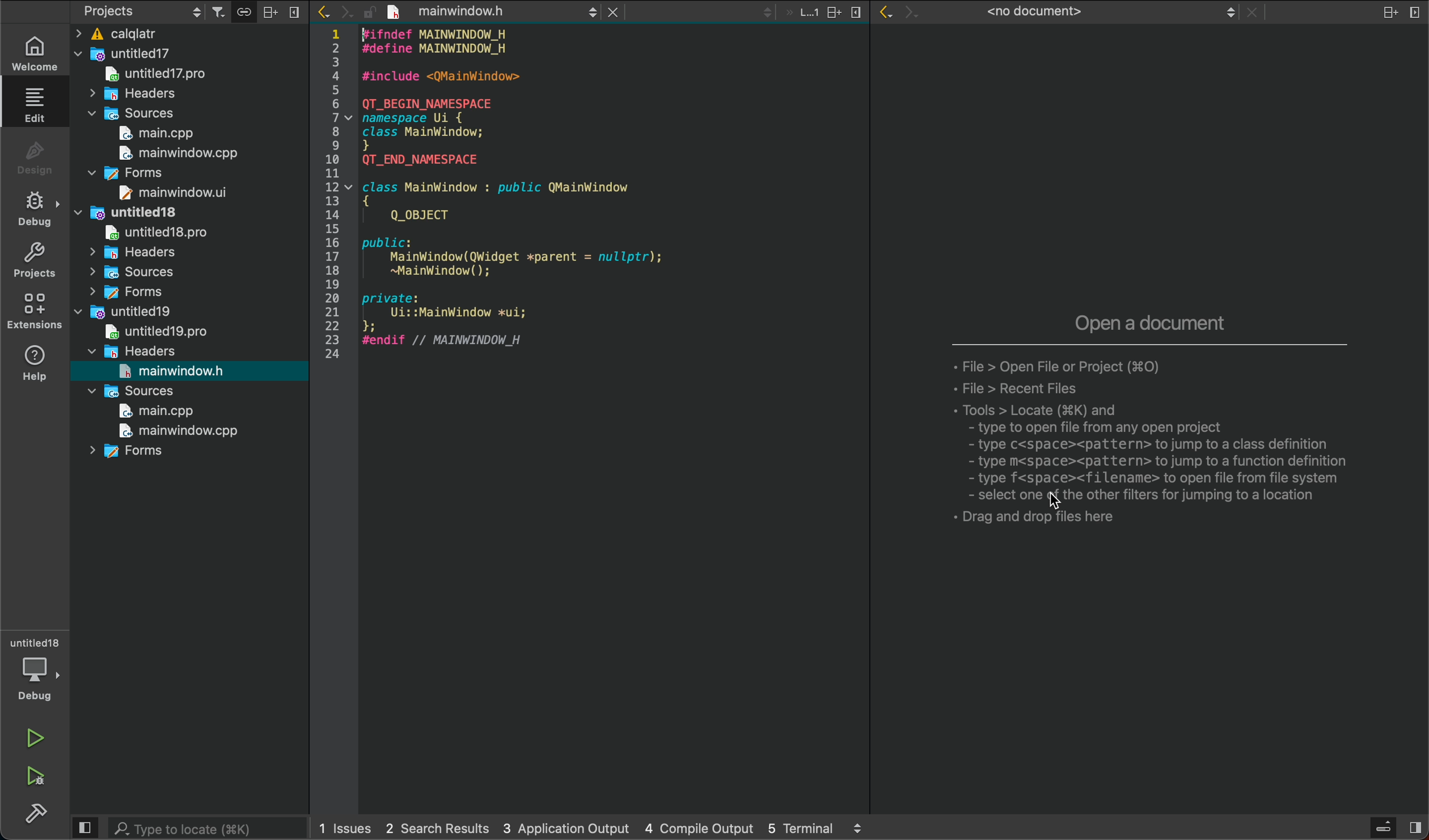  I want to click on main.cpp, so click(156, 134).